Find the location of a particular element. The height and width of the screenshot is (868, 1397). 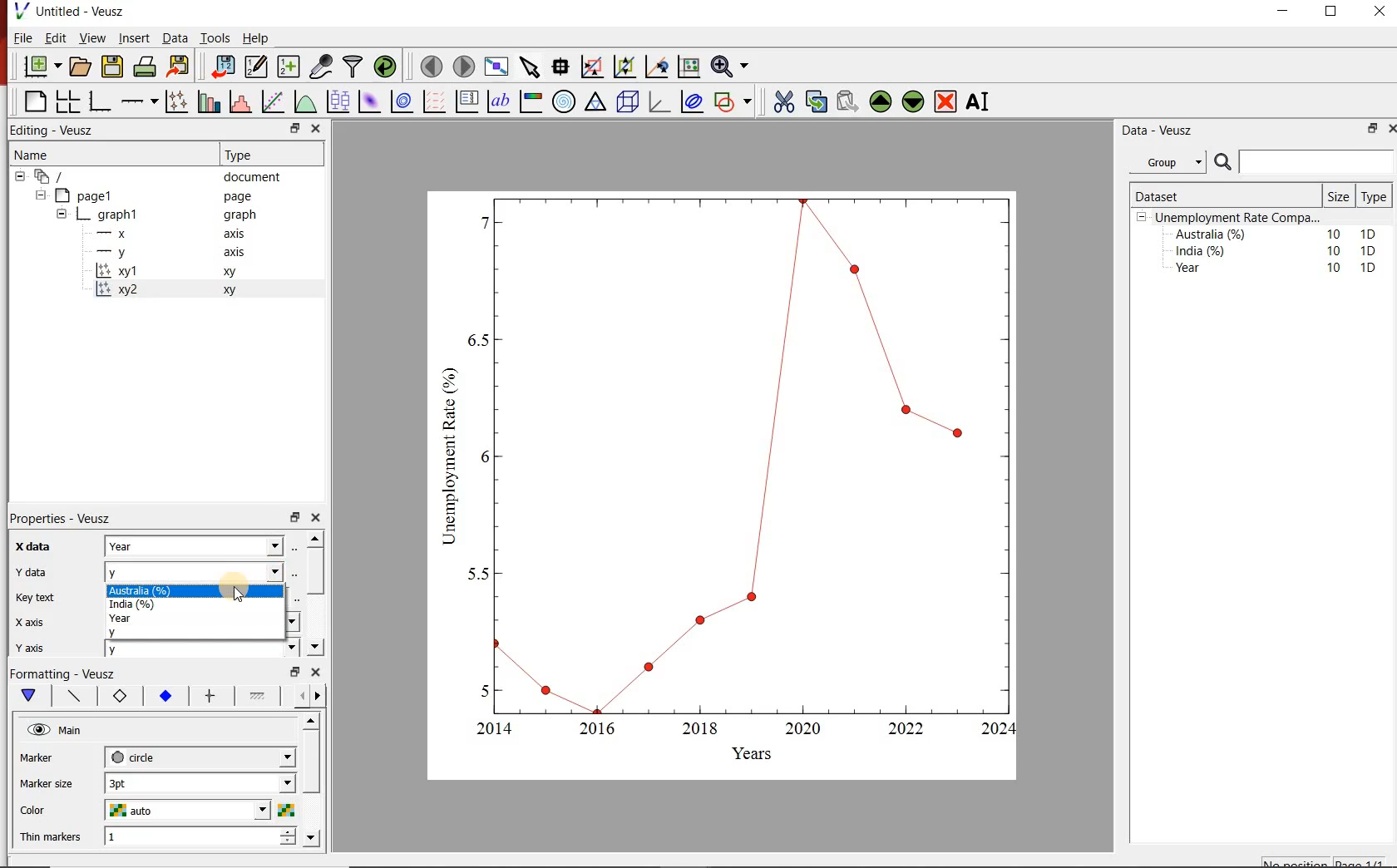

plot line is located at coordinates (76, 697).